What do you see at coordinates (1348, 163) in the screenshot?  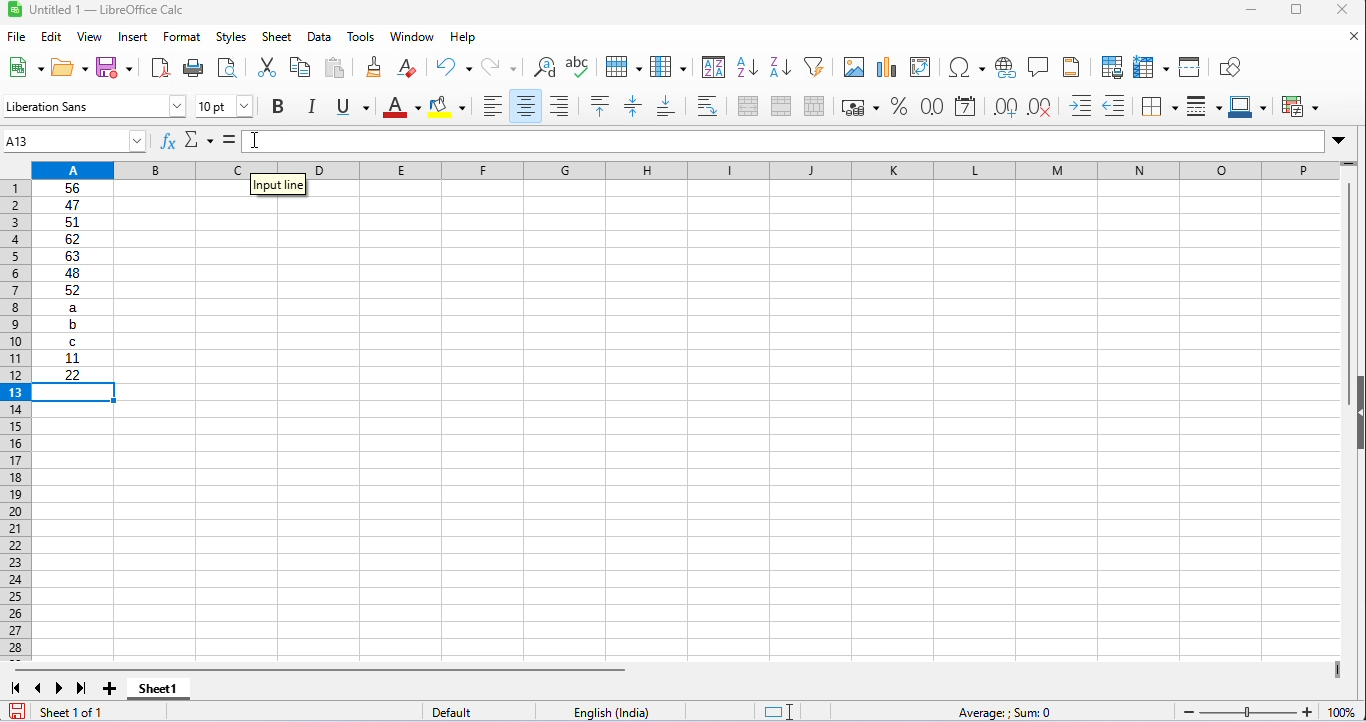 I see `drag to view more rows` at bounding box center [1348, 163].